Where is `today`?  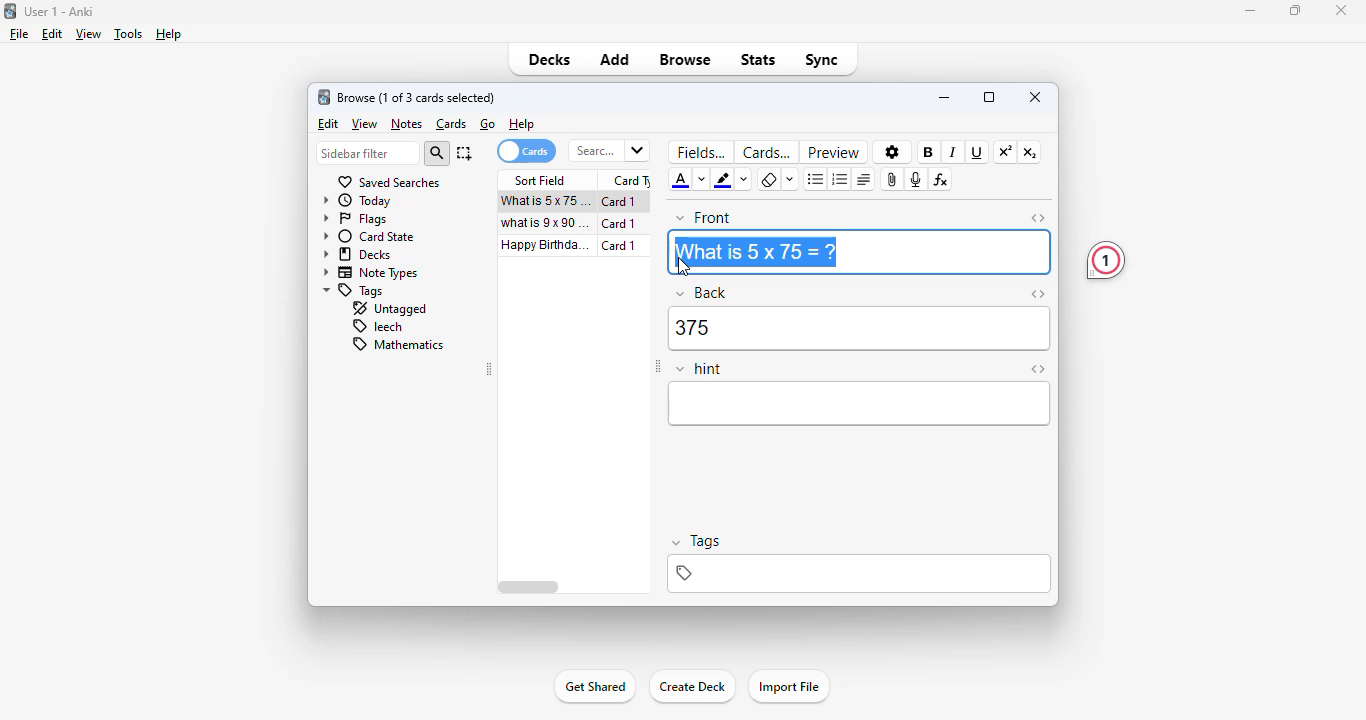
today is located at coordinates (356, 201).